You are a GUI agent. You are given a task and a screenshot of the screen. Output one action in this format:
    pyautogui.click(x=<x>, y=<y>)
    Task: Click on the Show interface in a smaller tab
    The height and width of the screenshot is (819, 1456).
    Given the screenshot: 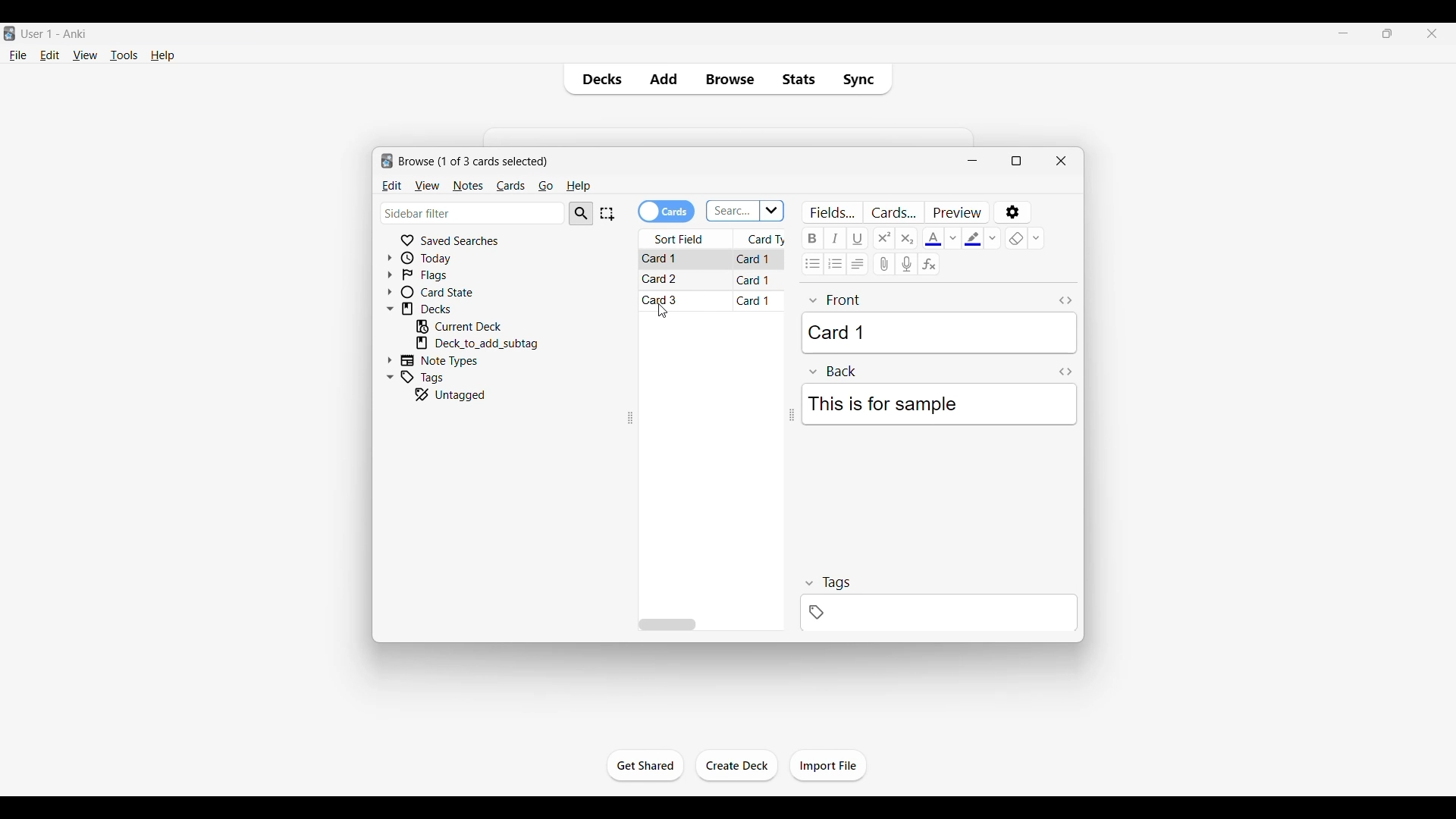 What is the action you would take?
    pyautogui.click(x=1387, y=33)
    